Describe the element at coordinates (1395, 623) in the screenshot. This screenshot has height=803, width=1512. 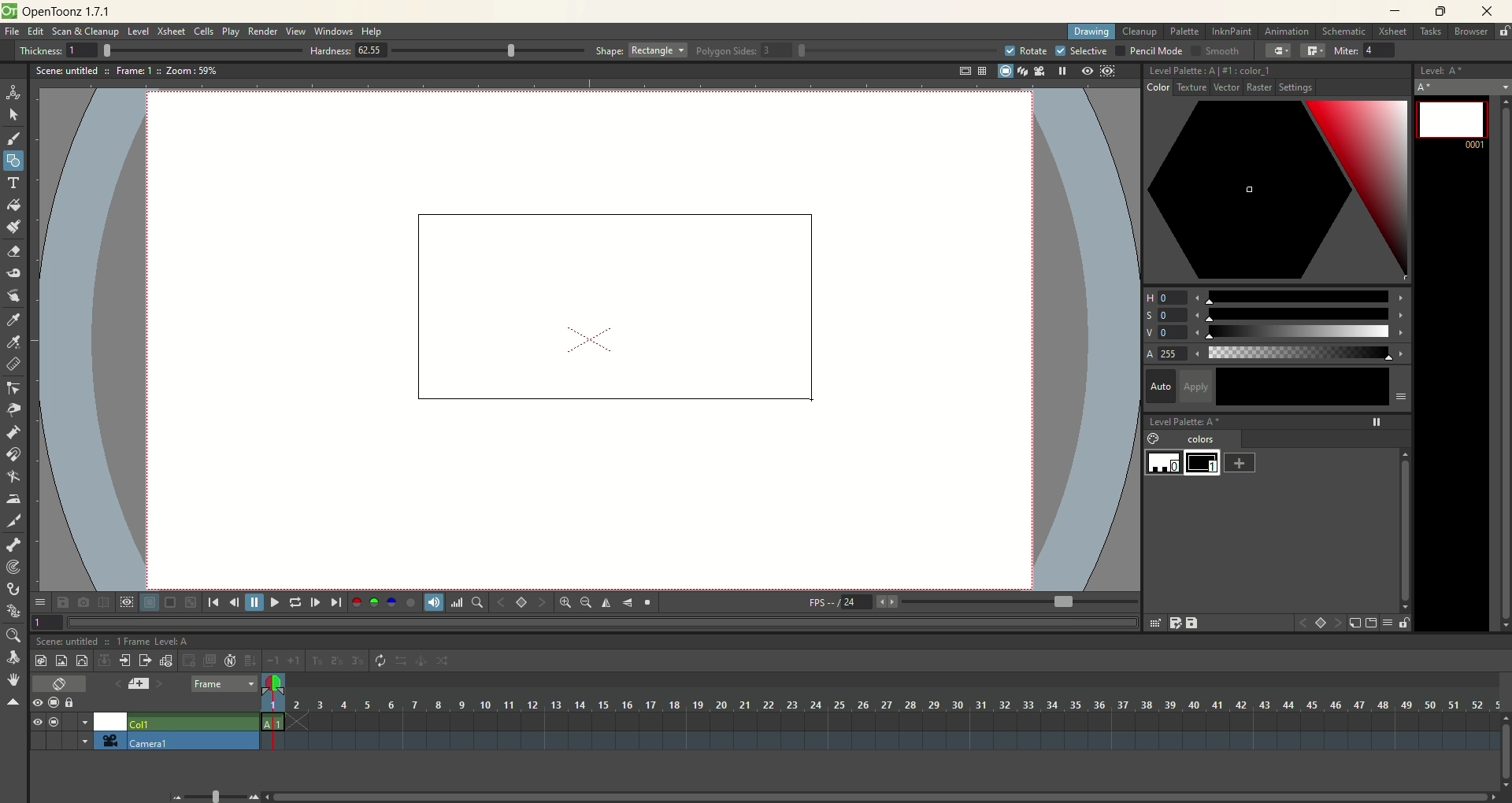
I see `lock palette` at that location.